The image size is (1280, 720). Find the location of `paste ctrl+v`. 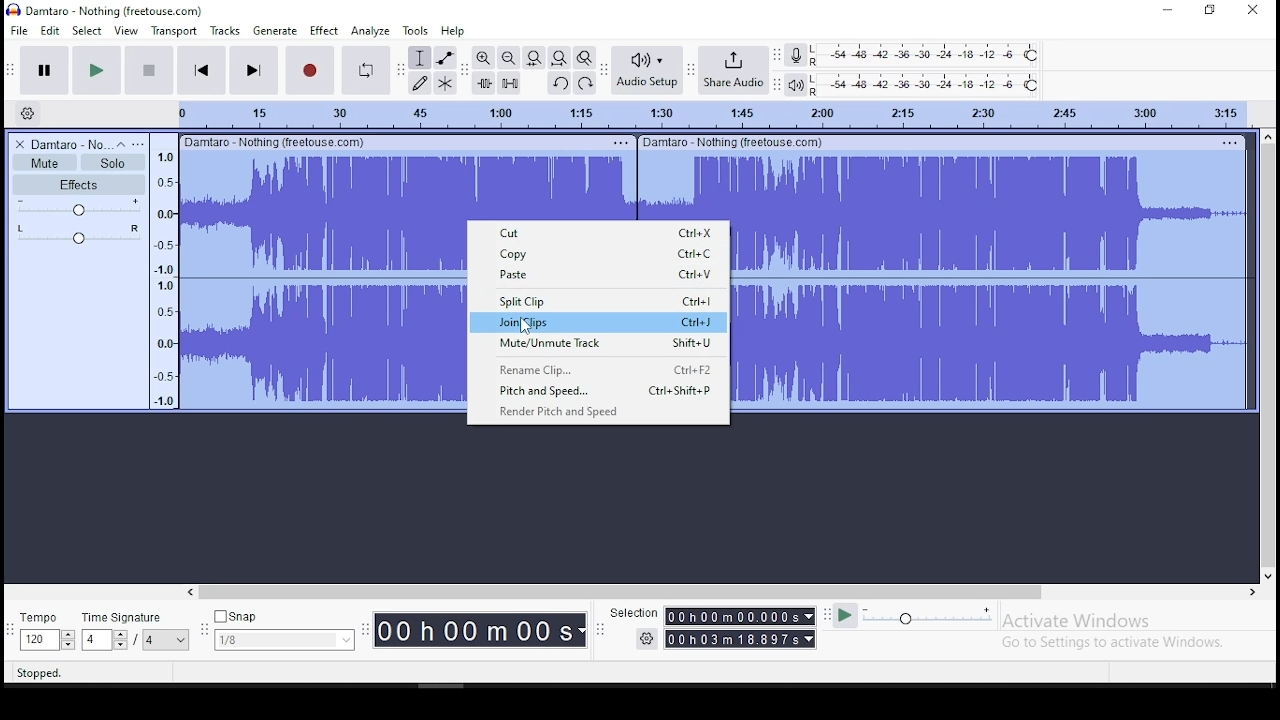

paste ctrl+v is located at coordinates (602, 276).